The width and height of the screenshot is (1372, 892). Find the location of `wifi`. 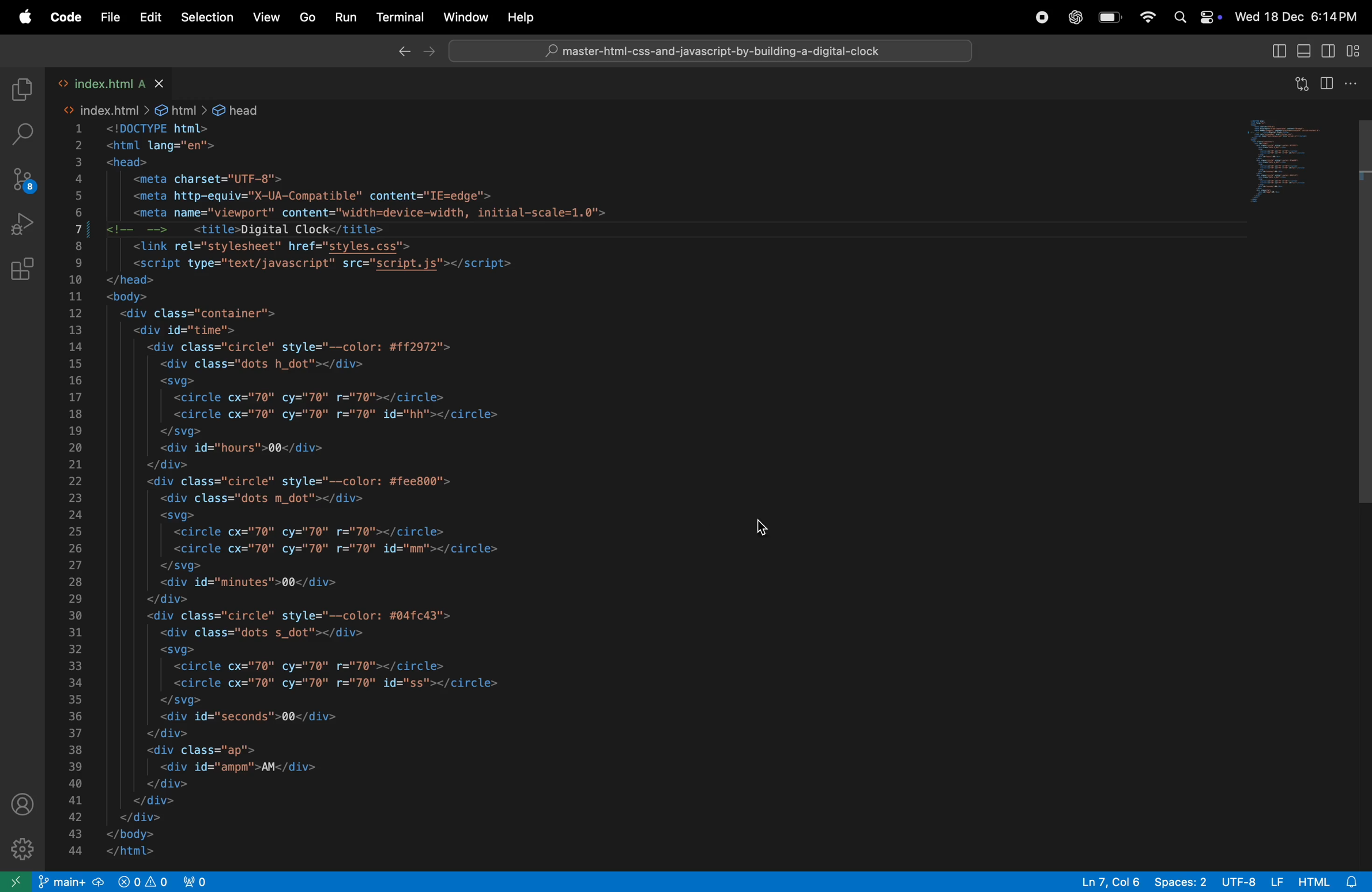

wifi is located at coordinates (1145, 17).